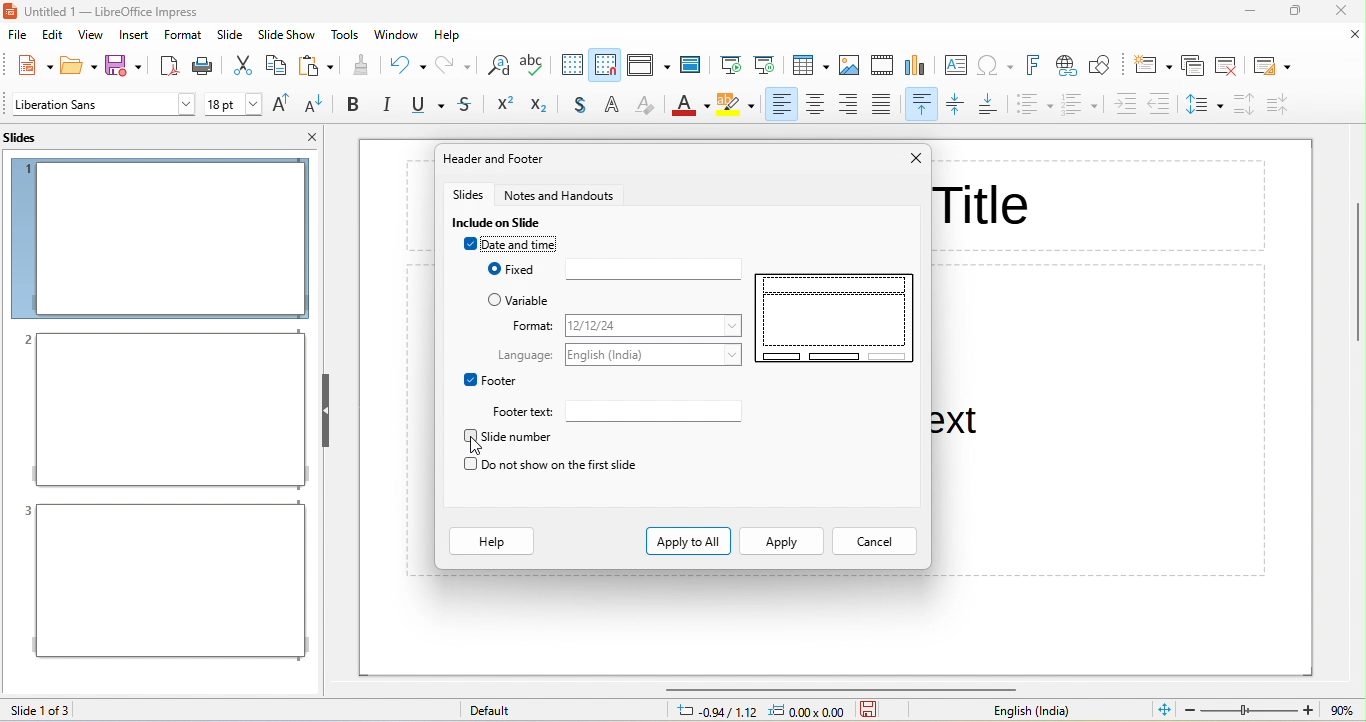 Image resolution: width=1366 pixels, height=722 pixels. I want to click on align bottom, so click(992, 105).